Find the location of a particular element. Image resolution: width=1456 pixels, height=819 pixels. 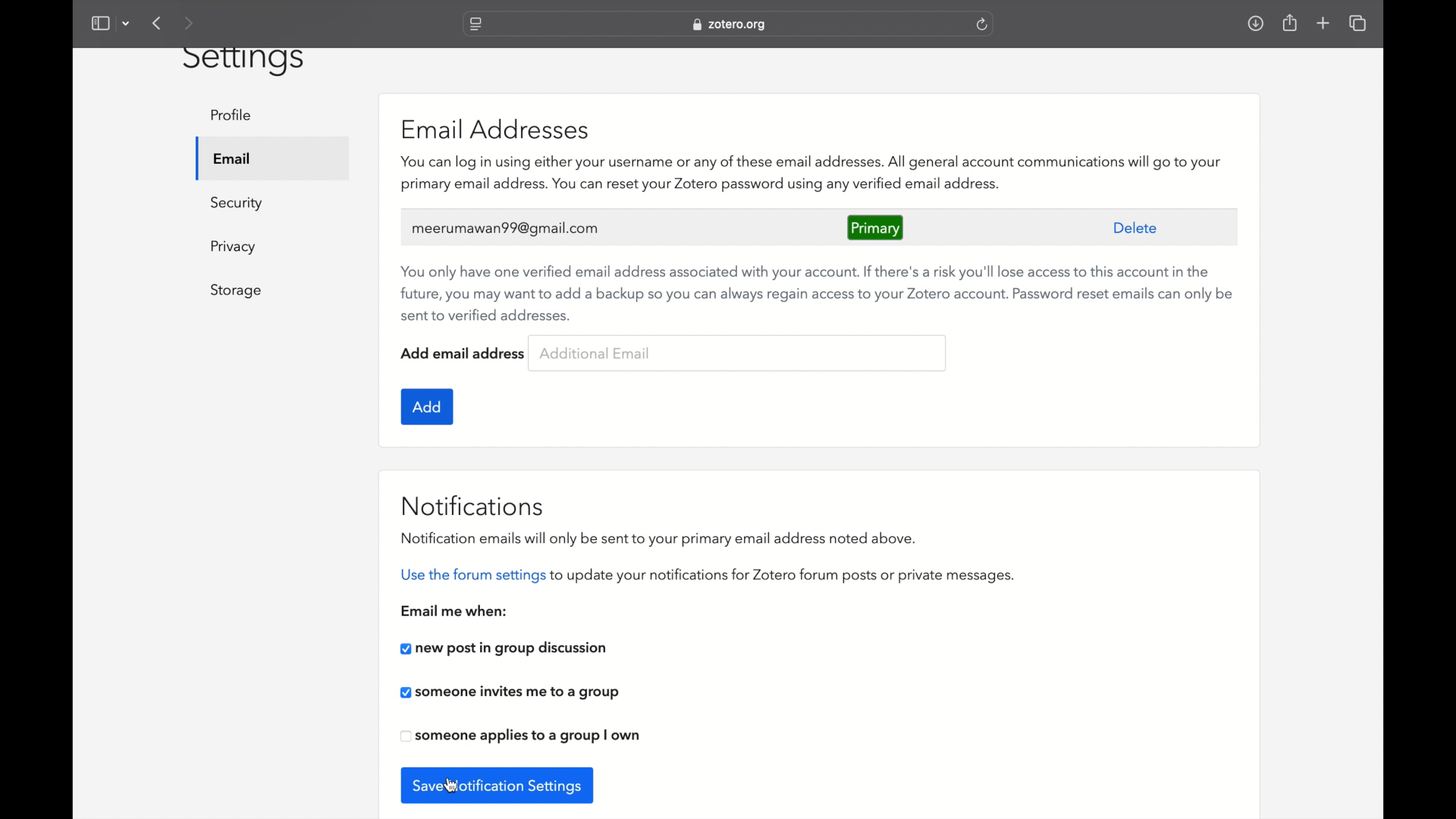

checkbox is located at coordinates (522, 736).